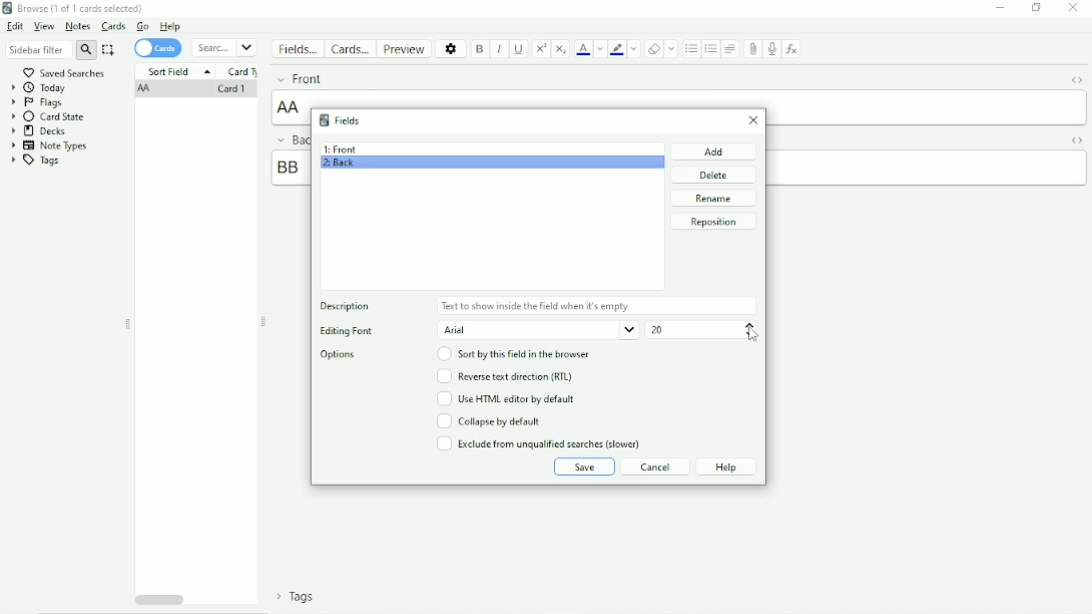 The width and height of the screenshot is (1092, 614). I want to click on AA, so click(291, 107).